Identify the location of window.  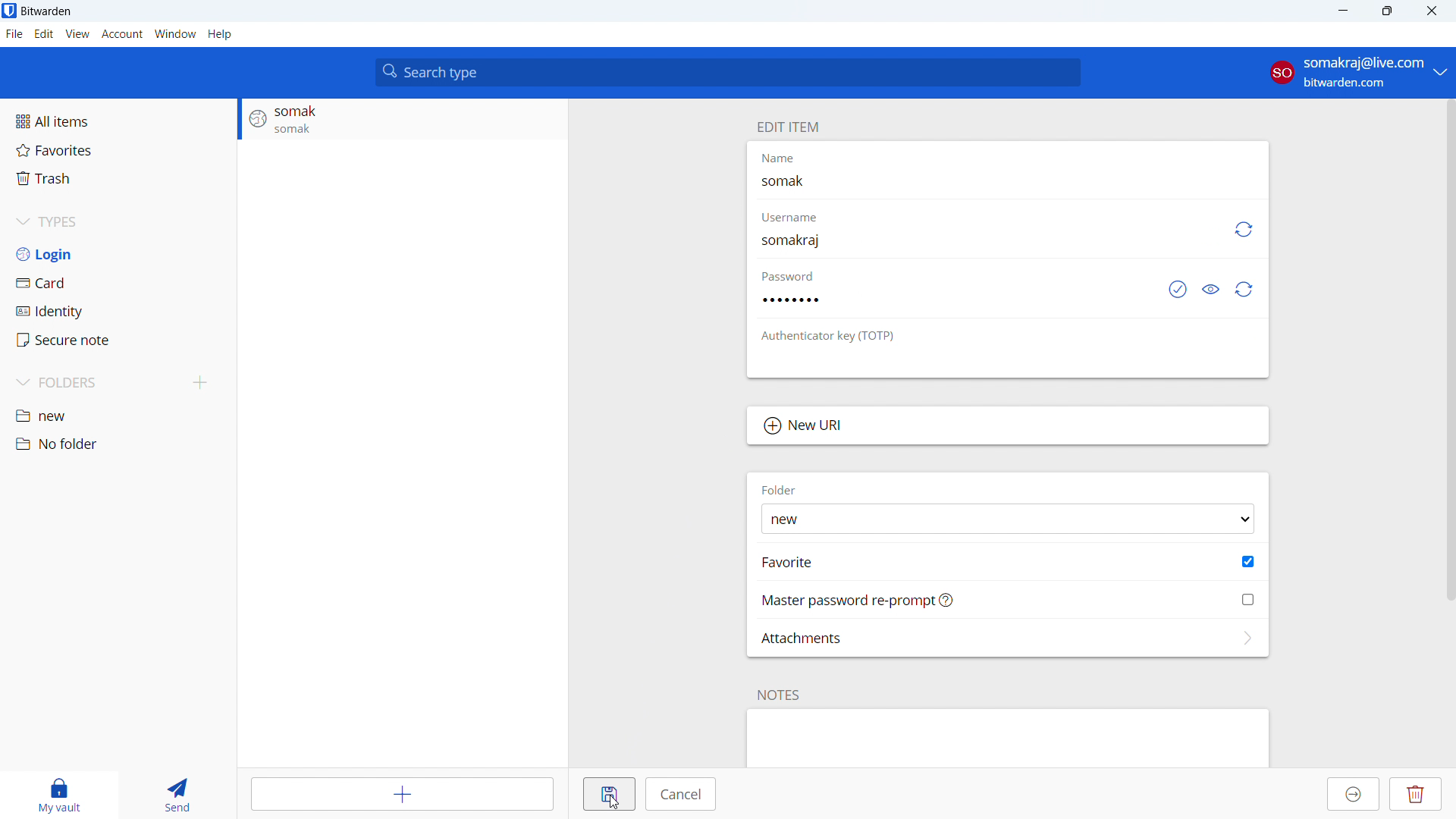
(175, 33).